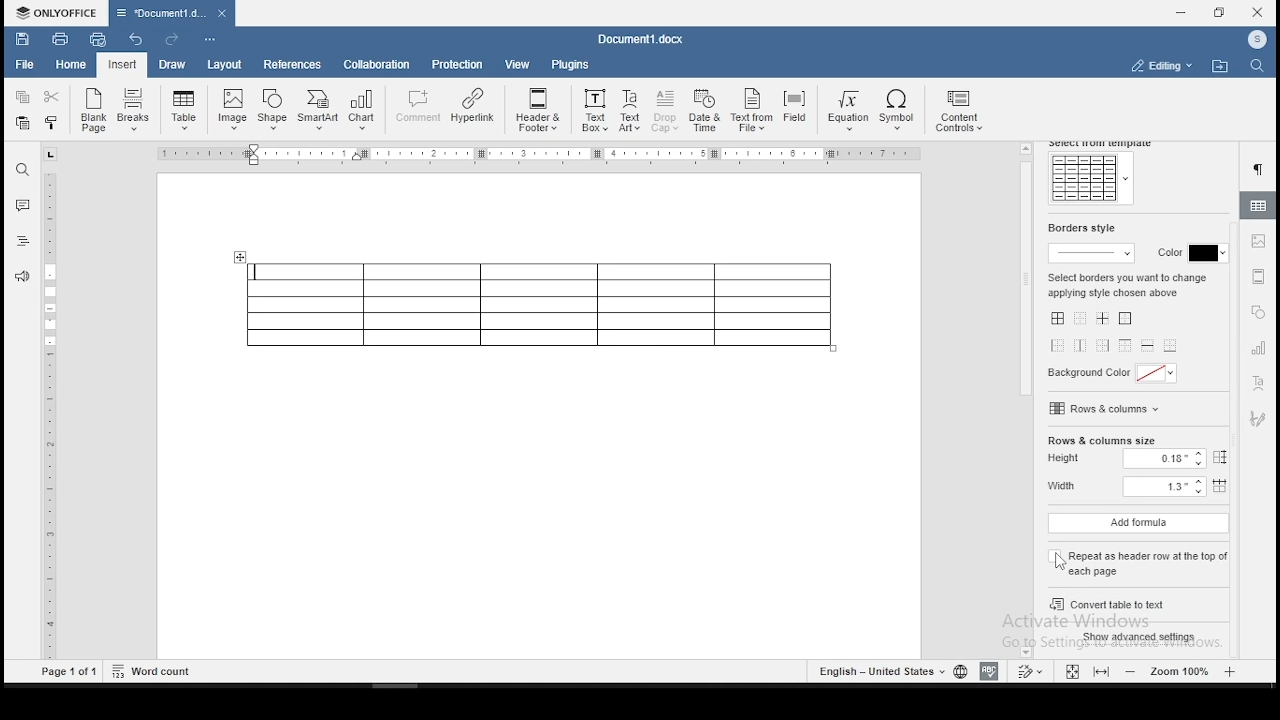  I want to click on Text Box, so click(593, 111).